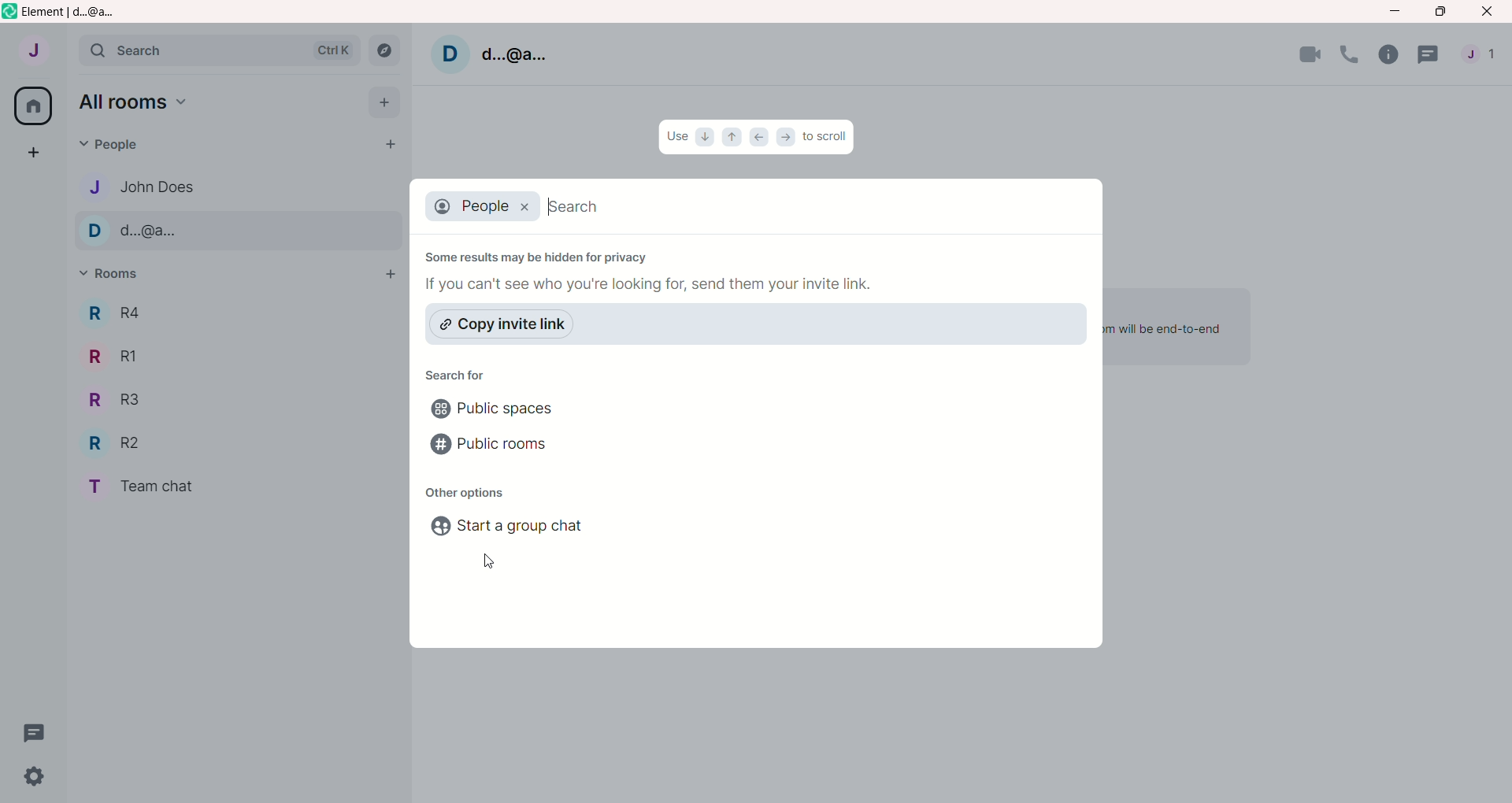  What do you see at coordinates (1439, 12) in the screenshot?
I see `maximize` at bounding box center [1439, 12].